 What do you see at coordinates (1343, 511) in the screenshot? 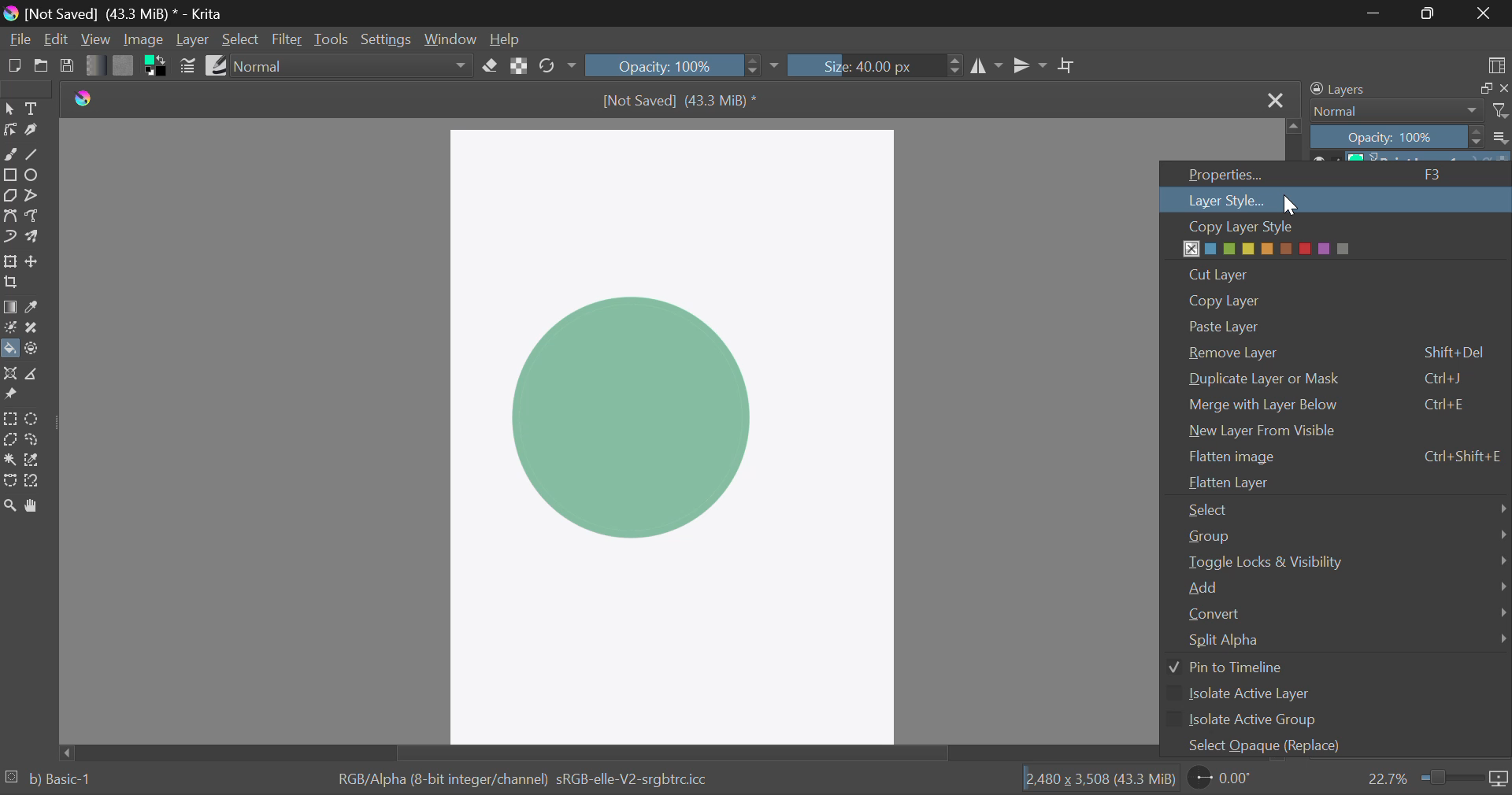
I see `Select` at bounding box center [1343, 511].